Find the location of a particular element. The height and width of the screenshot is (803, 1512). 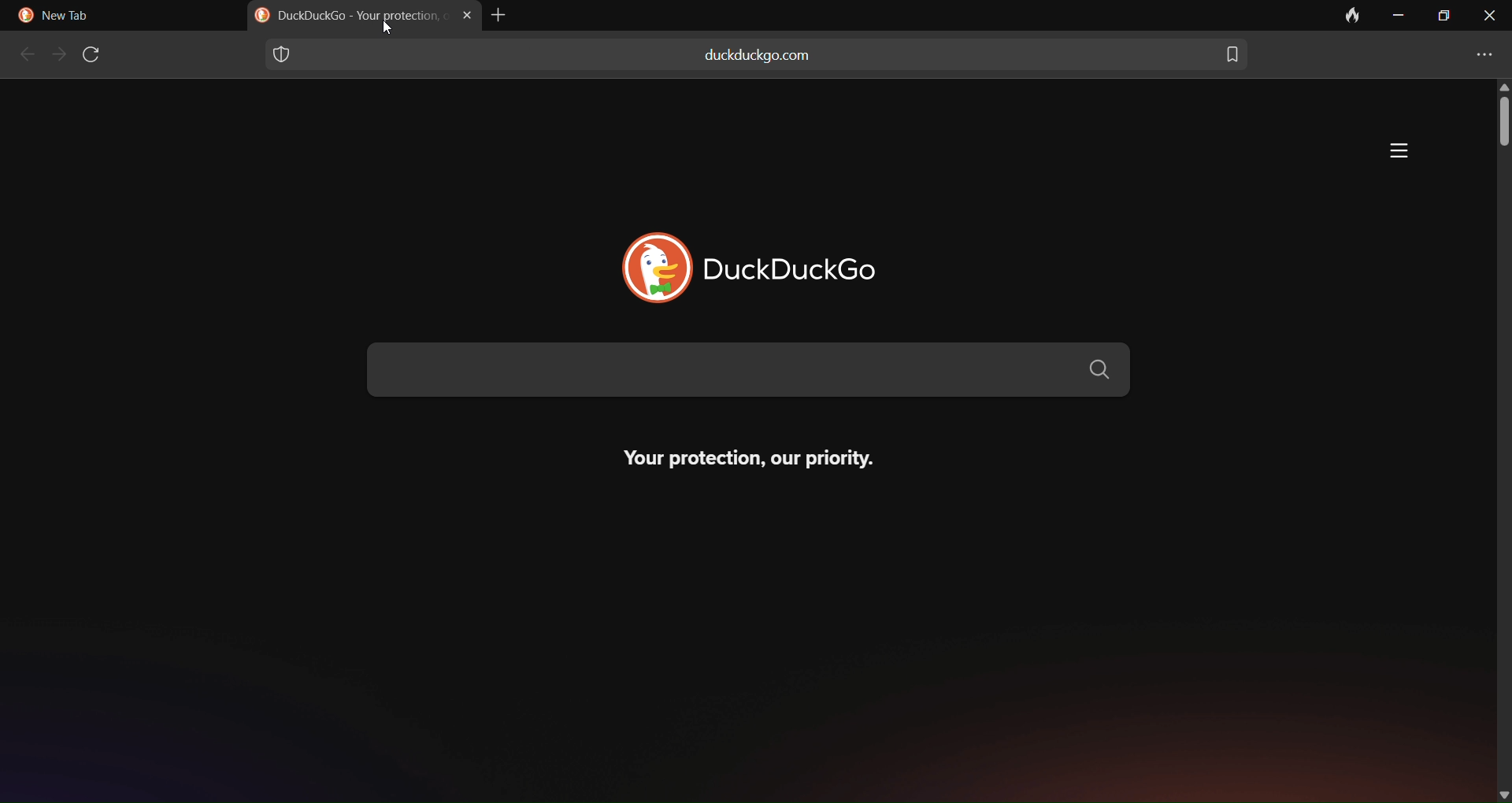

Logo is located at coordinates (23, 16).